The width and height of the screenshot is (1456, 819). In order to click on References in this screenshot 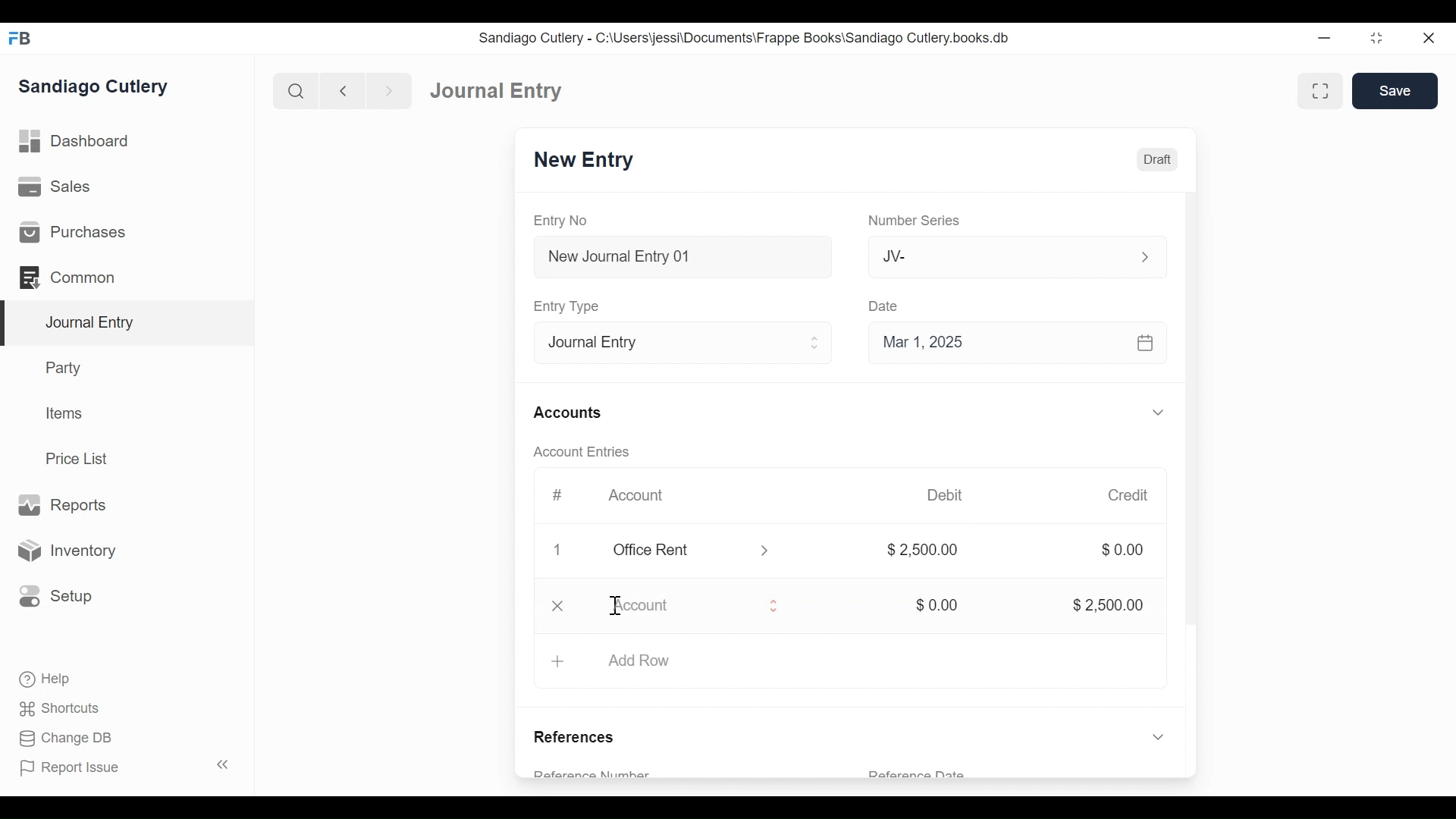, I will do `click(580, 733)`.